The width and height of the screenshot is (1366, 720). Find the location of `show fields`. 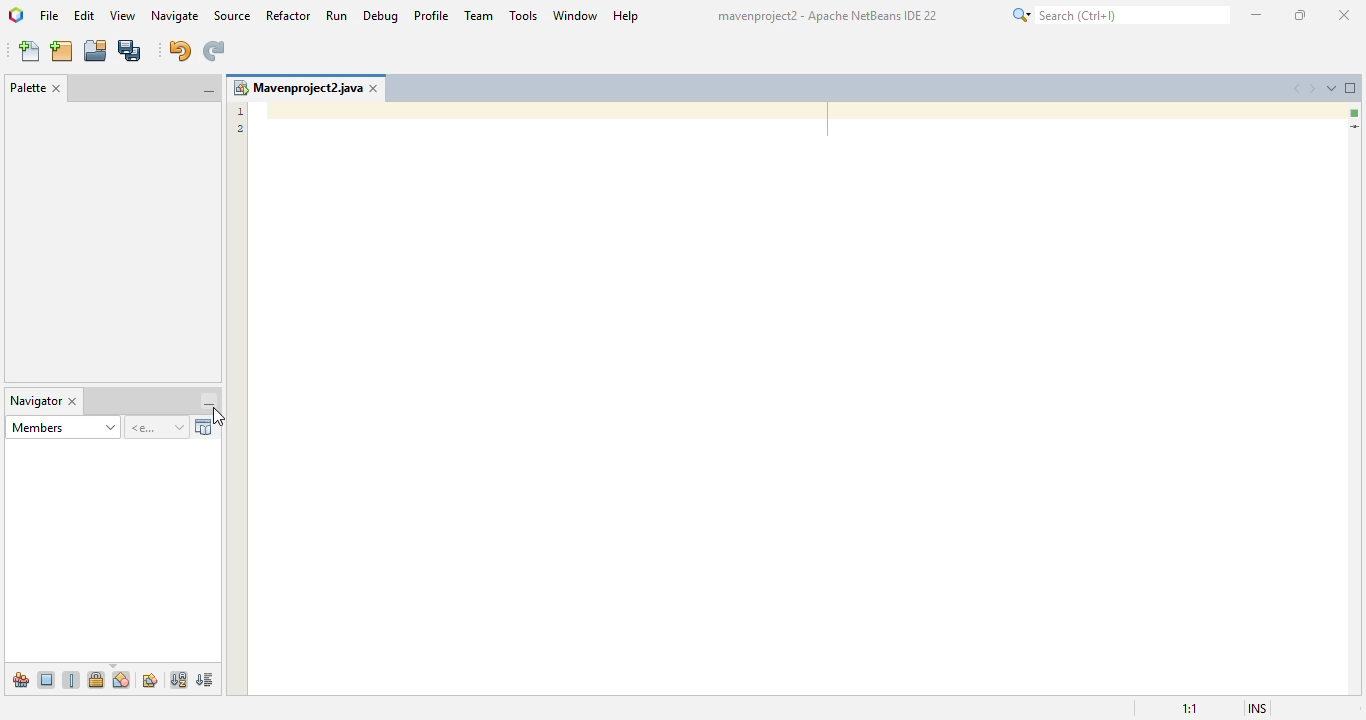

show fields is located at coordinates (47, 679).